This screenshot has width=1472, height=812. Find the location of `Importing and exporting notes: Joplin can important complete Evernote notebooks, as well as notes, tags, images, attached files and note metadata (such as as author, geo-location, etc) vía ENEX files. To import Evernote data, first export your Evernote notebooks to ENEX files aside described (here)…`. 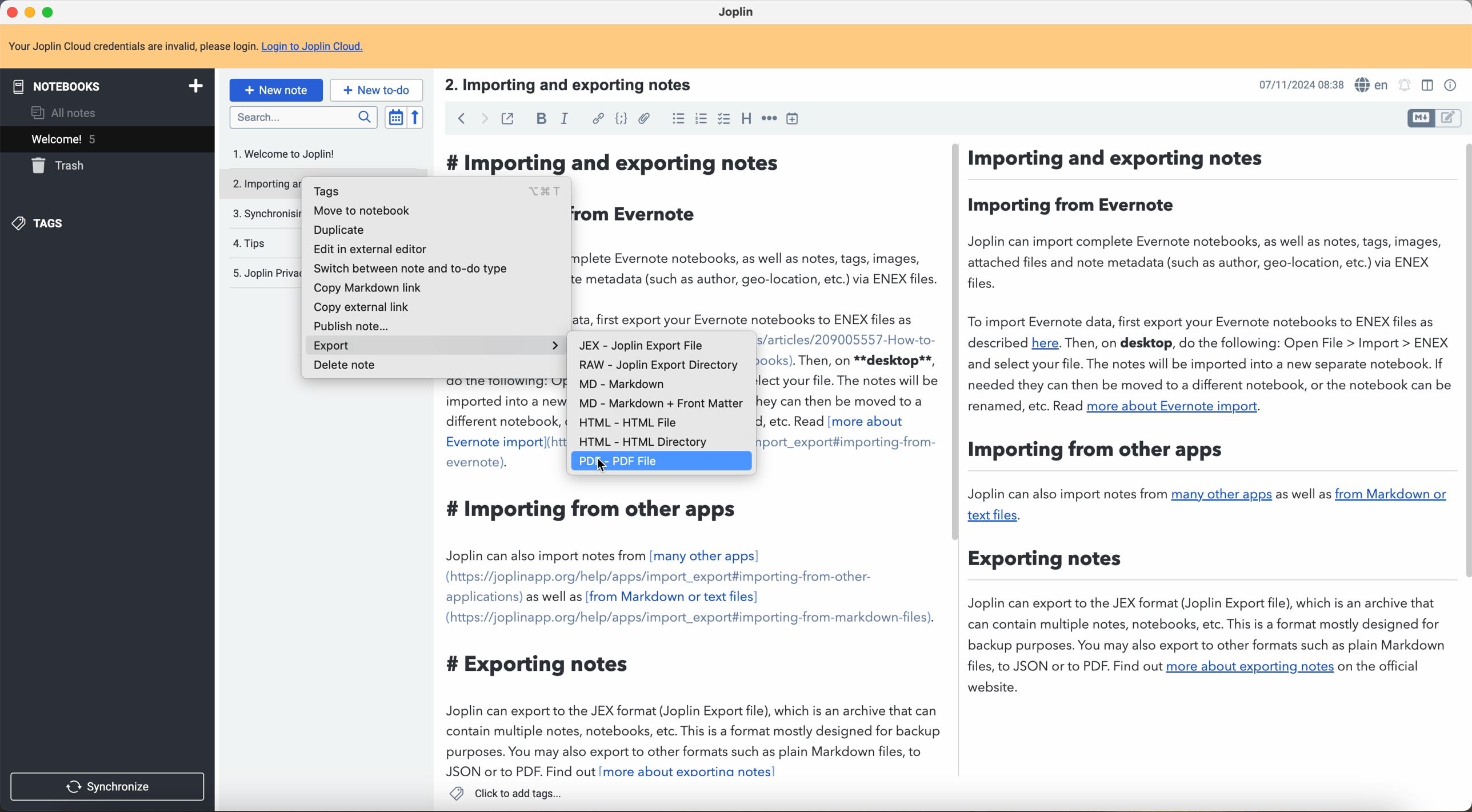

Importing and exporting notes: Joplin can important complete Evernote notebooks, as well as notes, tags, images, attached files and note metadata (such as as author, geo-location, etc) vía ENEX files. To import Evernote data, first export your Evernote notebooks to ENEX files aside described (here)… is located at coordinates (1210, 423).